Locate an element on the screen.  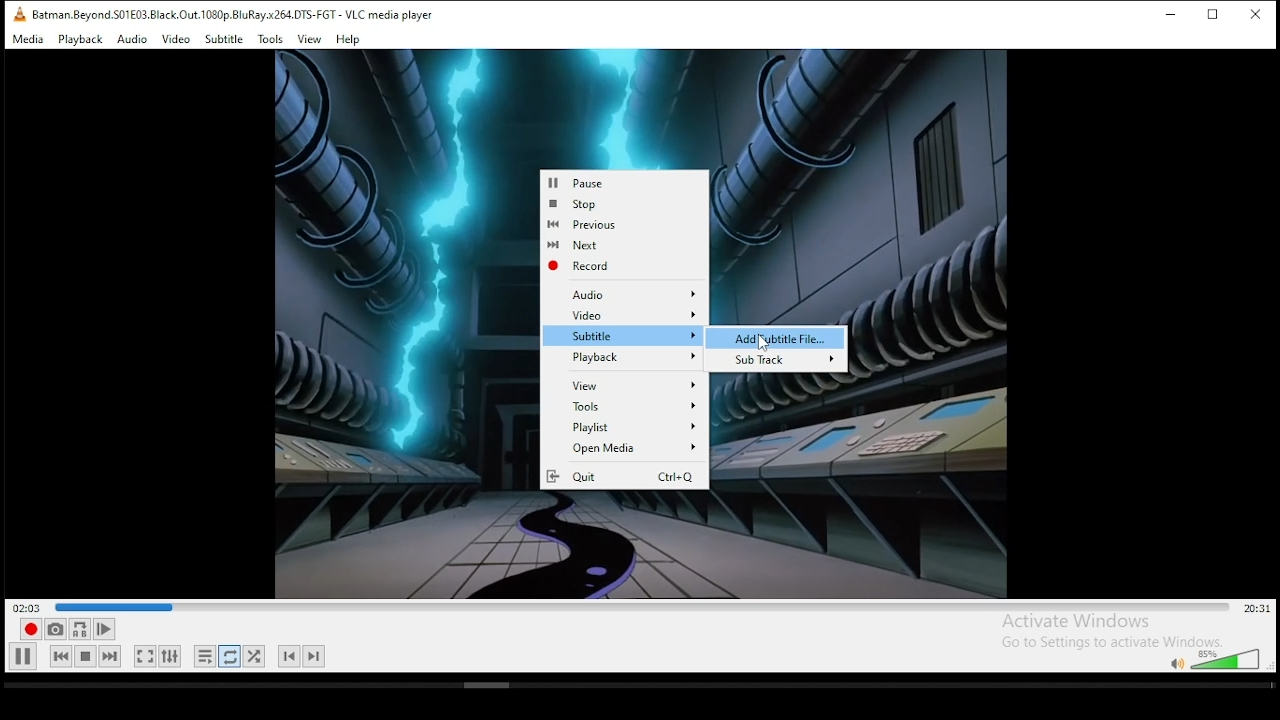
next media in playlist, skips forward when held is located at coordinates (111, 656).